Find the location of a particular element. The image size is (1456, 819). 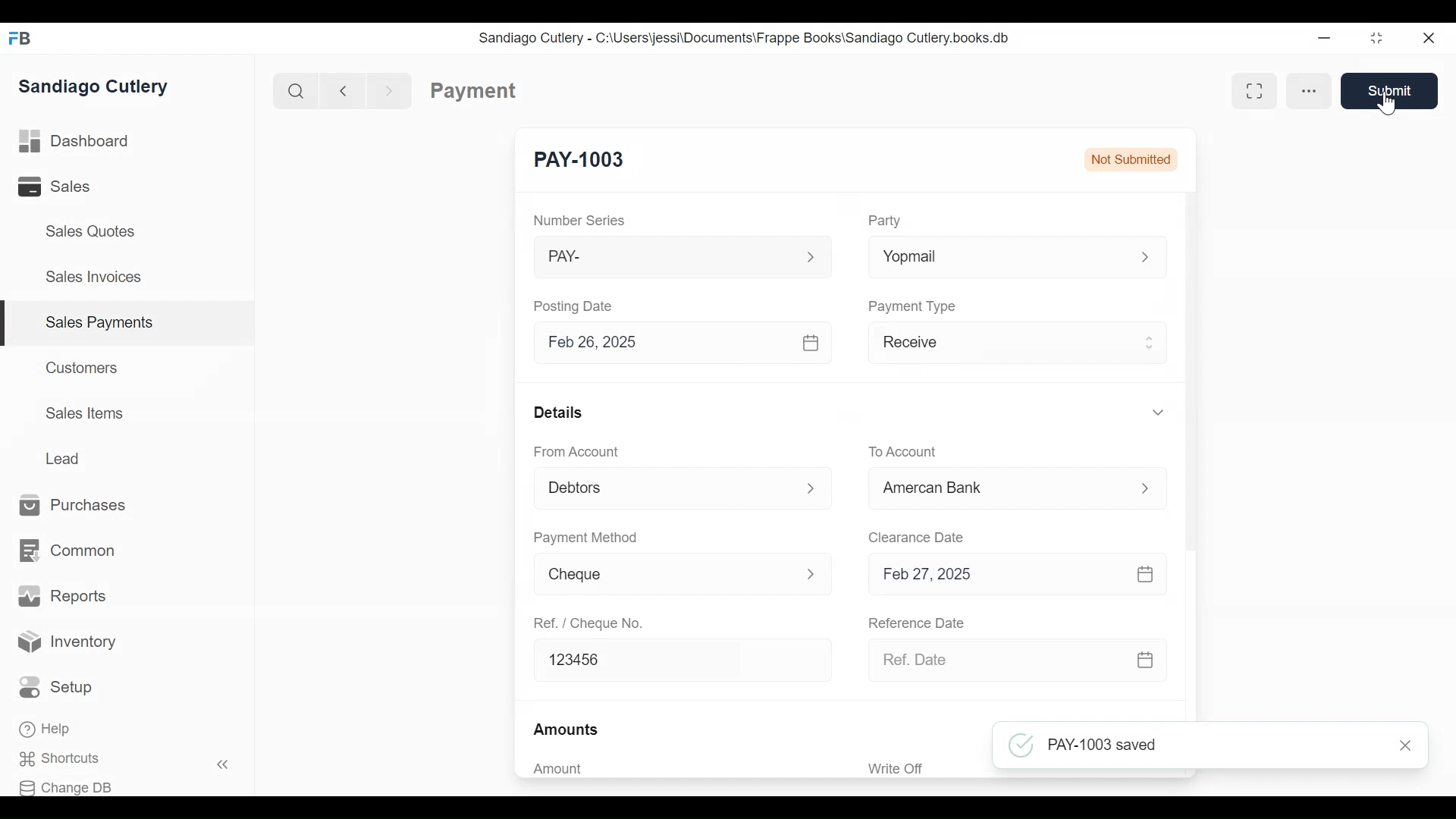

123456 is located at coordinates (682, 661).